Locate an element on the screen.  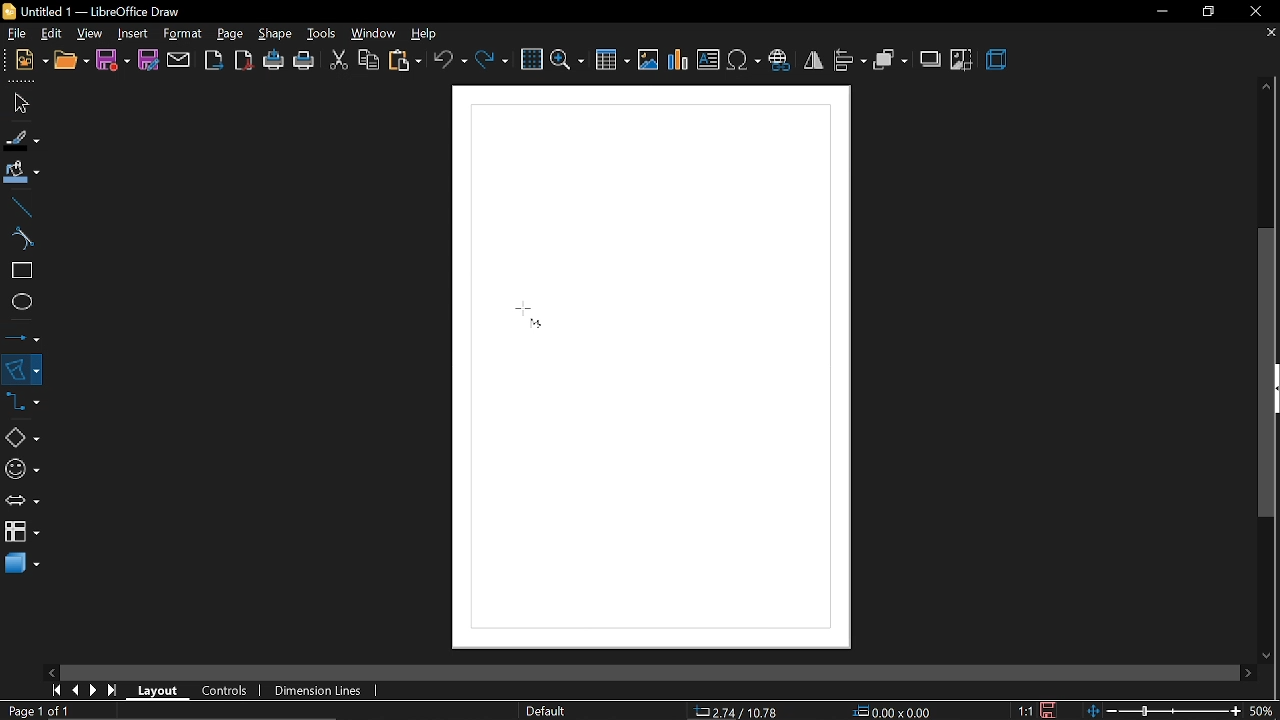
insert image is located at coordinates (650, 60).